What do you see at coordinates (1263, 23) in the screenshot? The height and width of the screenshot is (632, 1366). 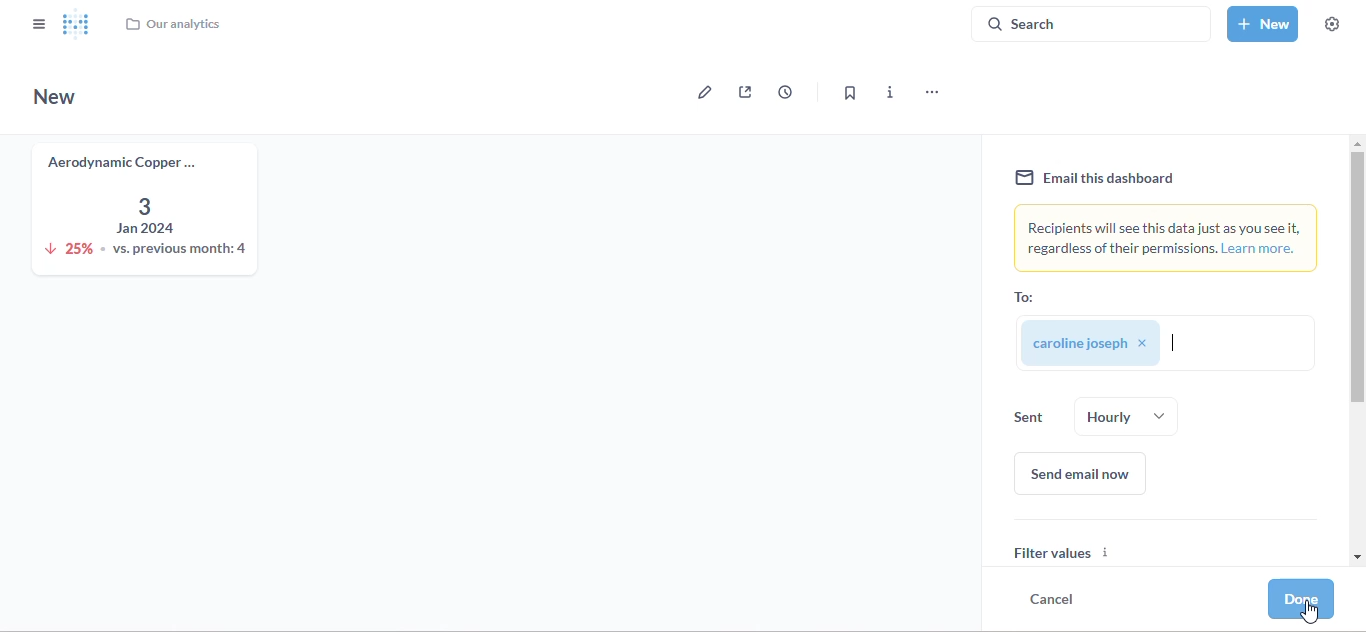 I see `new` at bounding box center [1263, 23].